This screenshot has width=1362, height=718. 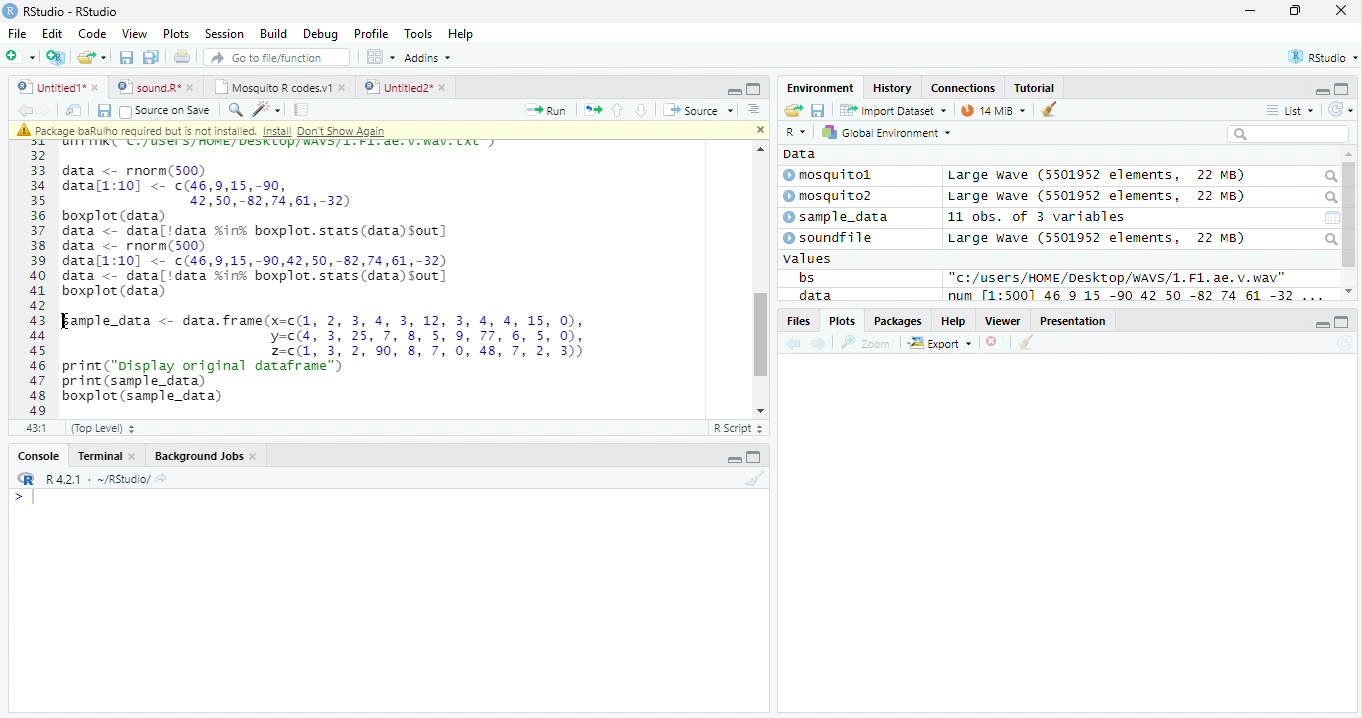 I want to click on Go forward, so click(x=44, y=110).